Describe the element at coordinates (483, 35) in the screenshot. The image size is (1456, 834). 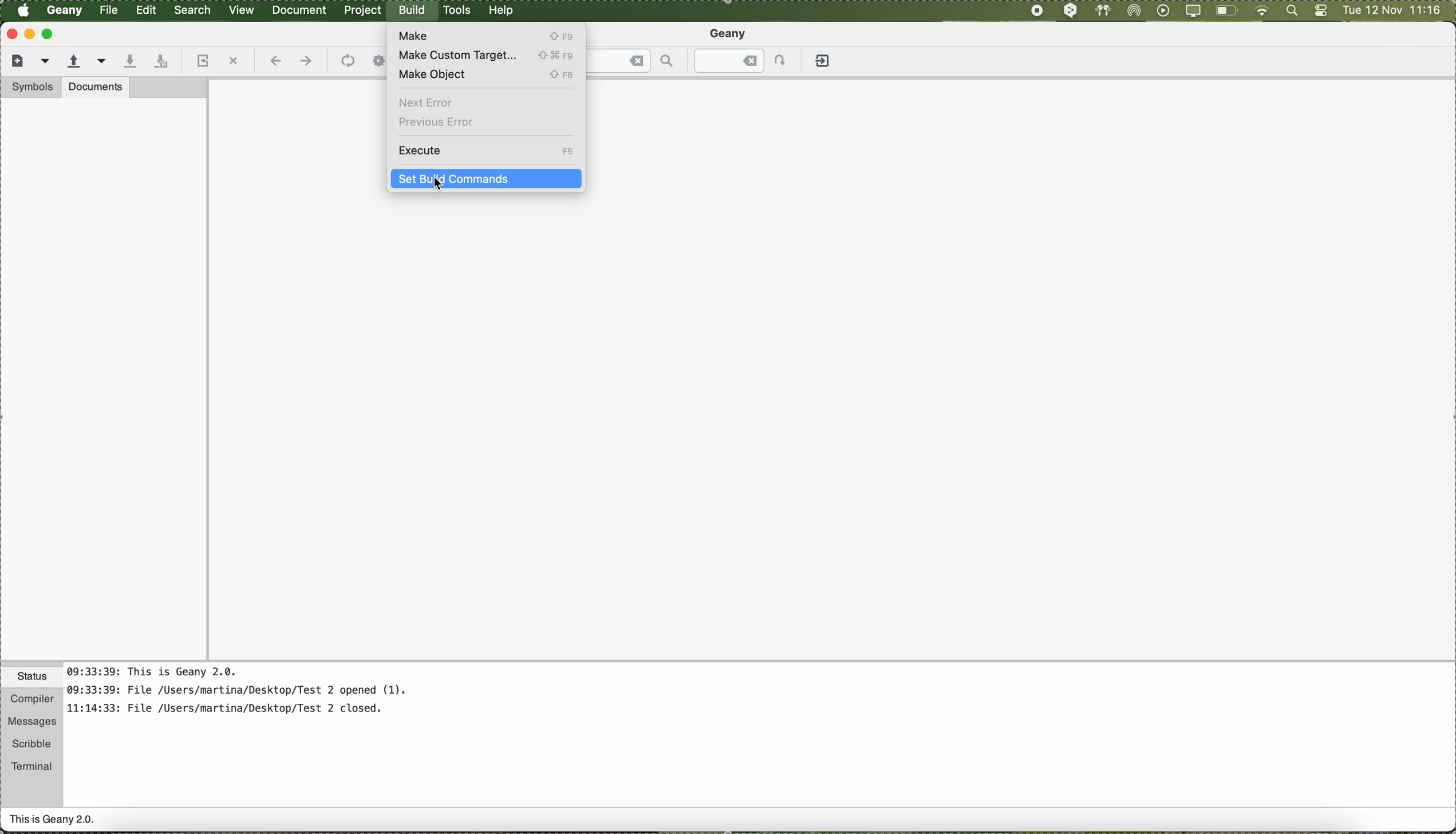
I see `make` at that location.